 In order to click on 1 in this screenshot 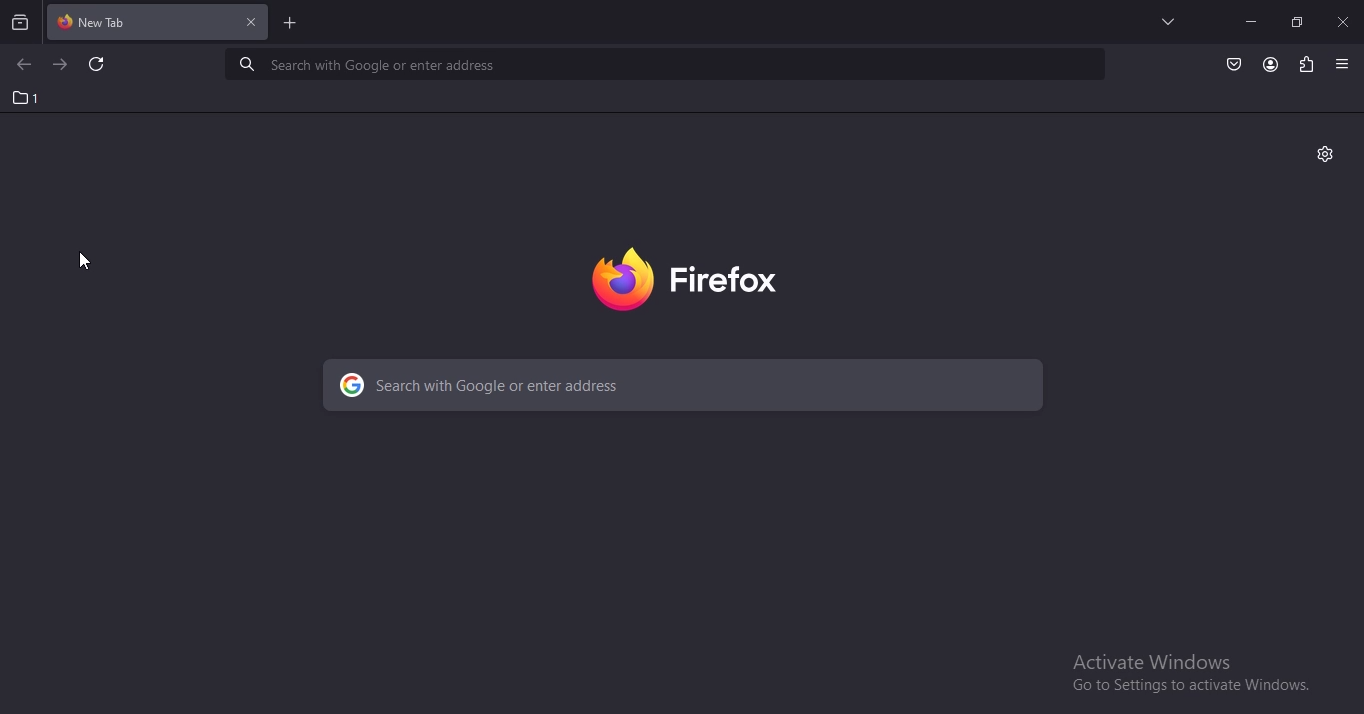, I will do `click(24, 97)`.